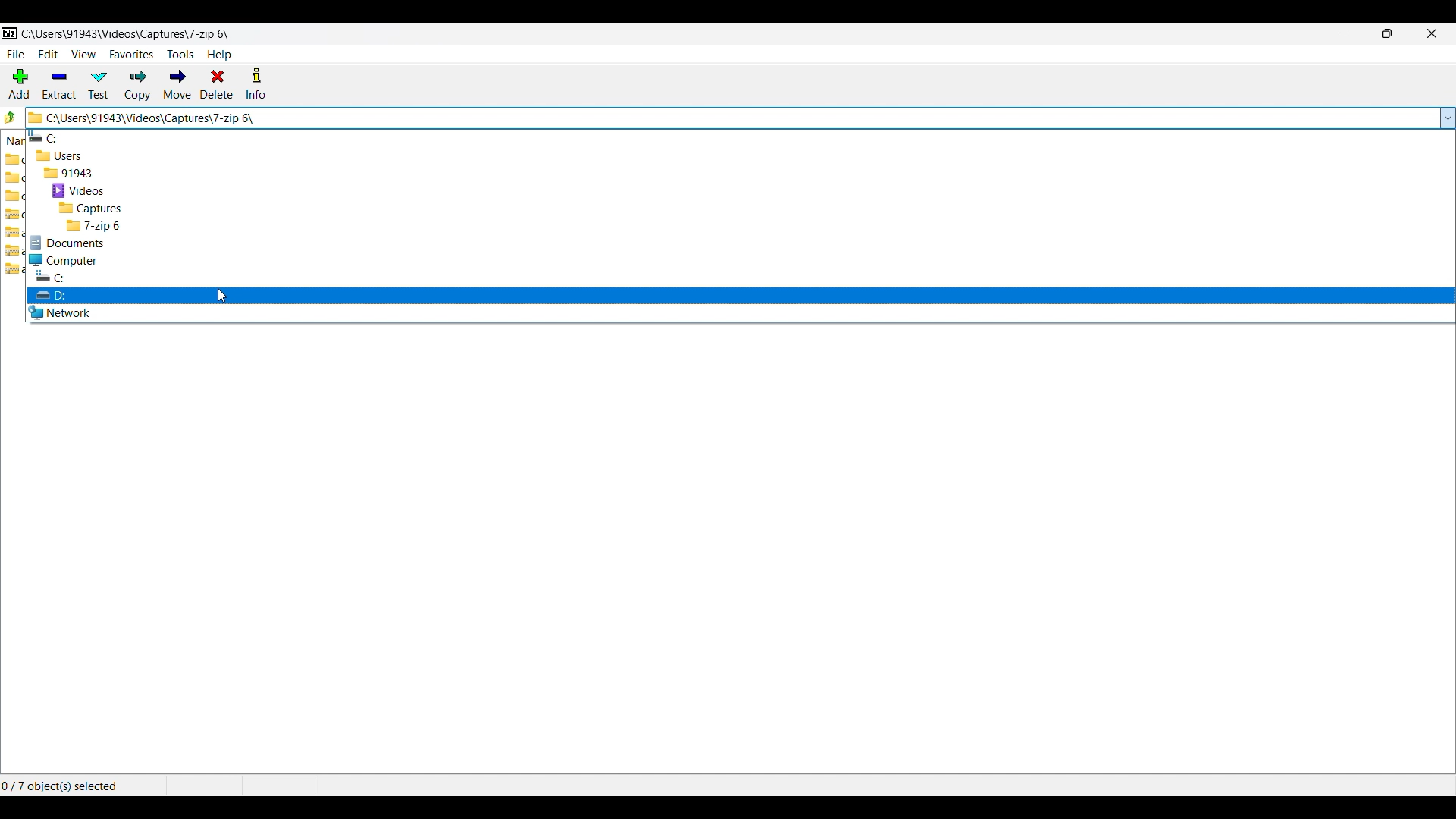  Describe the element at coordinates (180, 55) in the screenshot. I see `Tools menu` at that location.